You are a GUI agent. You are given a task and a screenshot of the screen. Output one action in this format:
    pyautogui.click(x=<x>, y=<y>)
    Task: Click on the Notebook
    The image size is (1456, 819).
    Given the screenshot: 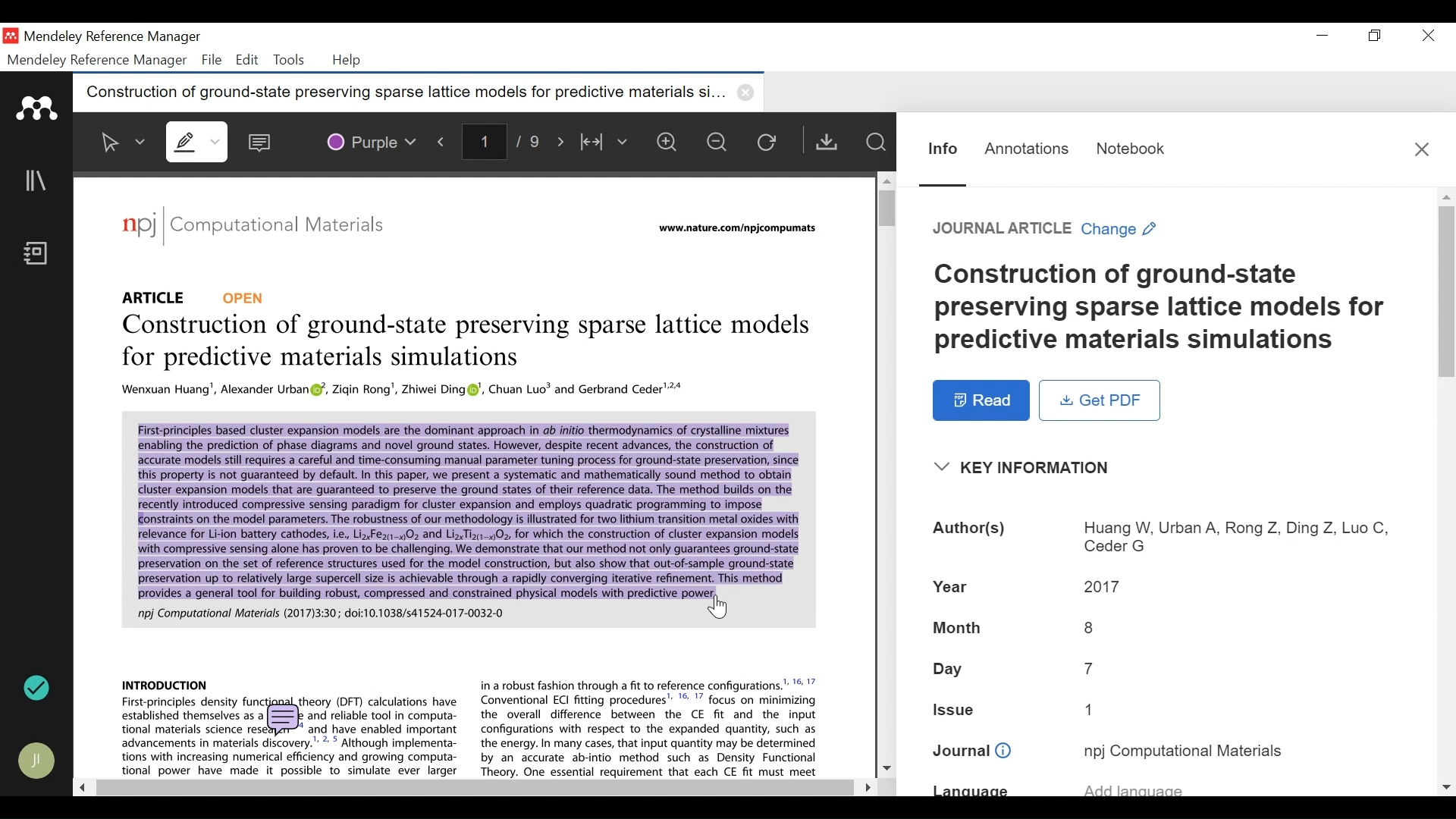 What is the action you would take?
    pyautogui.click(x=40, y=255)
    